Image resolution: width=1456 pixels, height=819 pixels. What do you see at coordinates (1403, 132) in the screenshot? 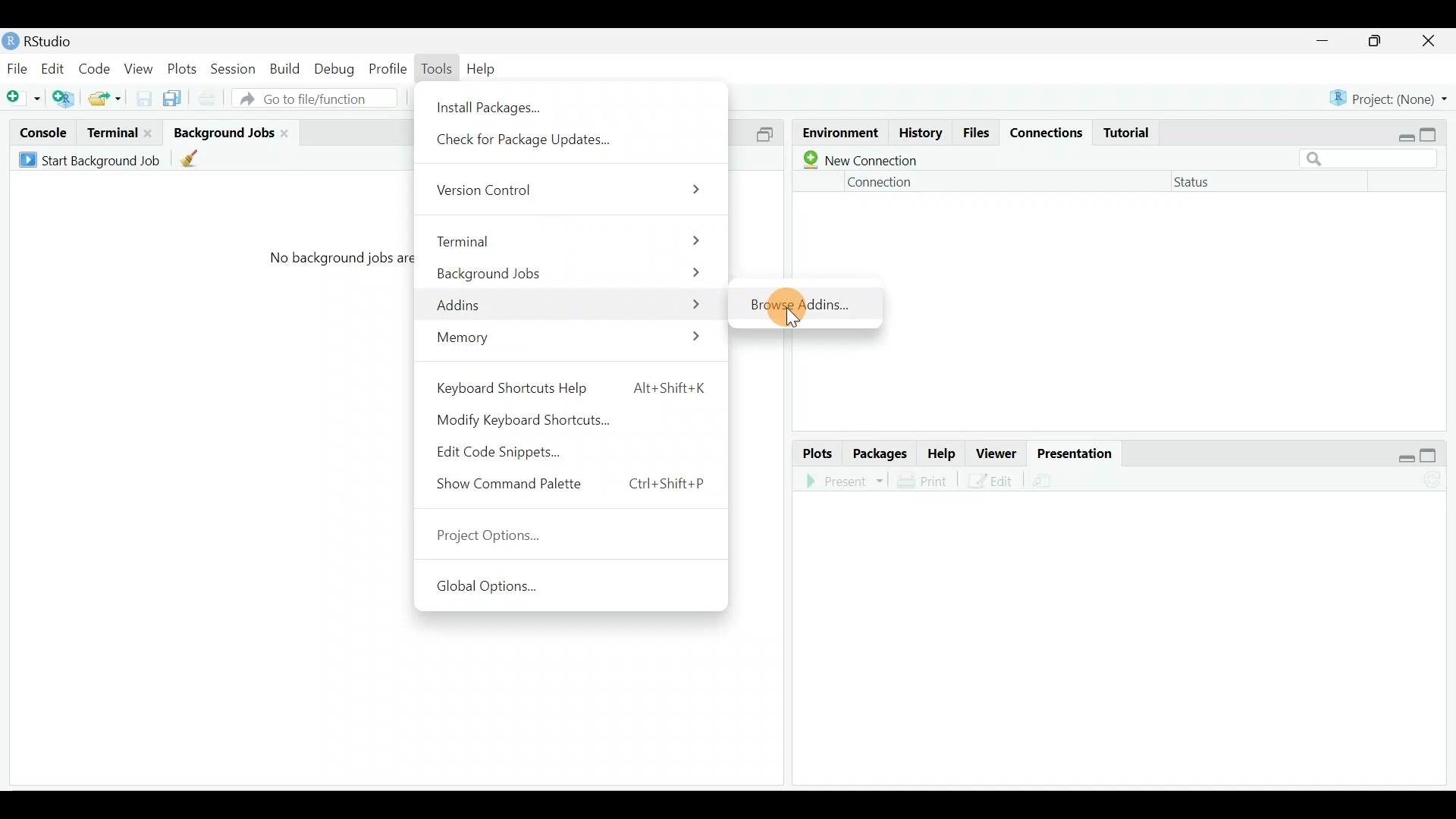
I see `restore down` at bounding box center [1403, 132].